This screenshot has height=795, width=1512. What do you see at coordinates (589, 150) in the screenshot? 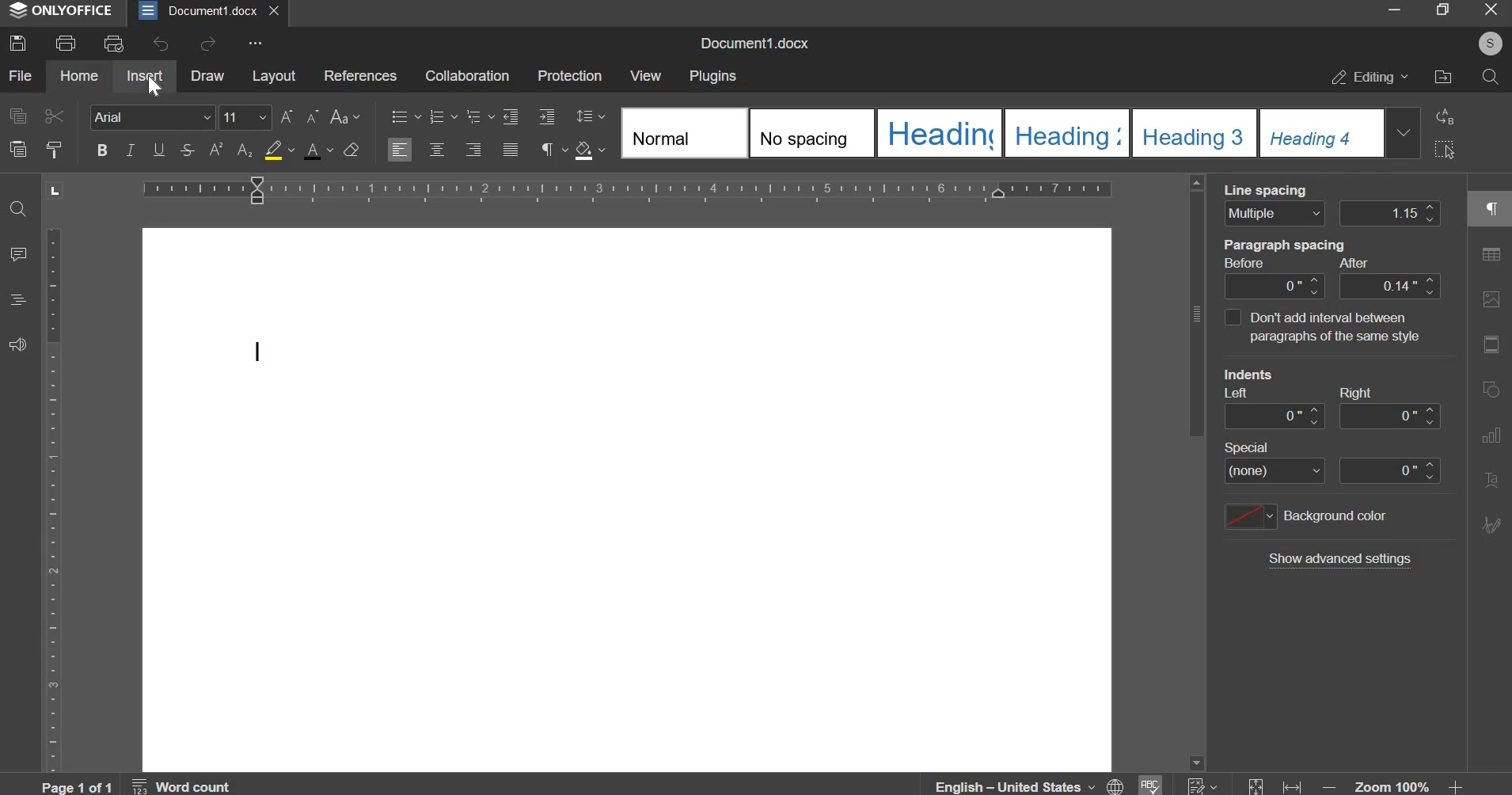
I see `shading` at bounding box center [589, 150].